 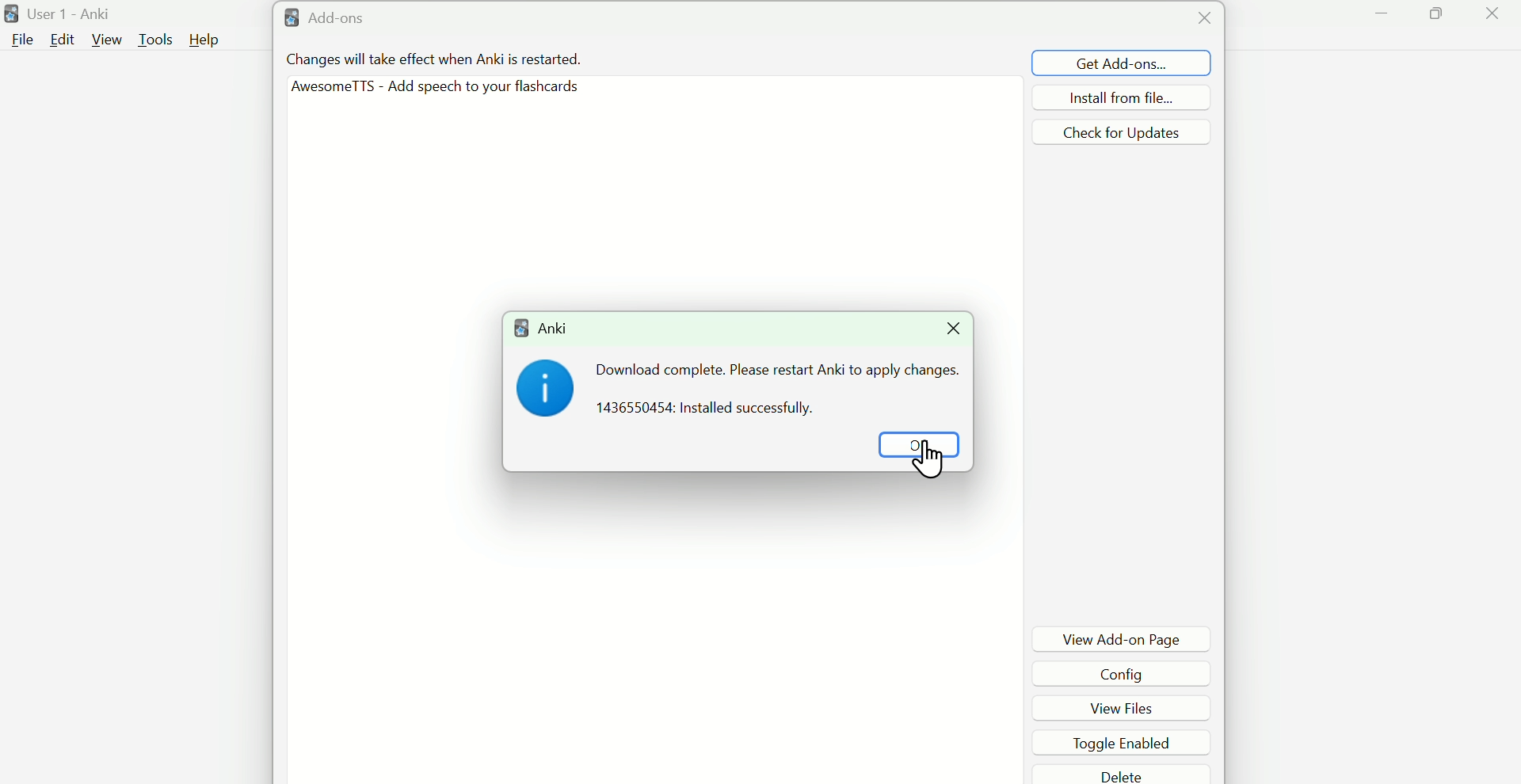 What do you see at coordinates (1129, 706) in the screenshot?
I see `View files` at bounding box center [1129, 706].